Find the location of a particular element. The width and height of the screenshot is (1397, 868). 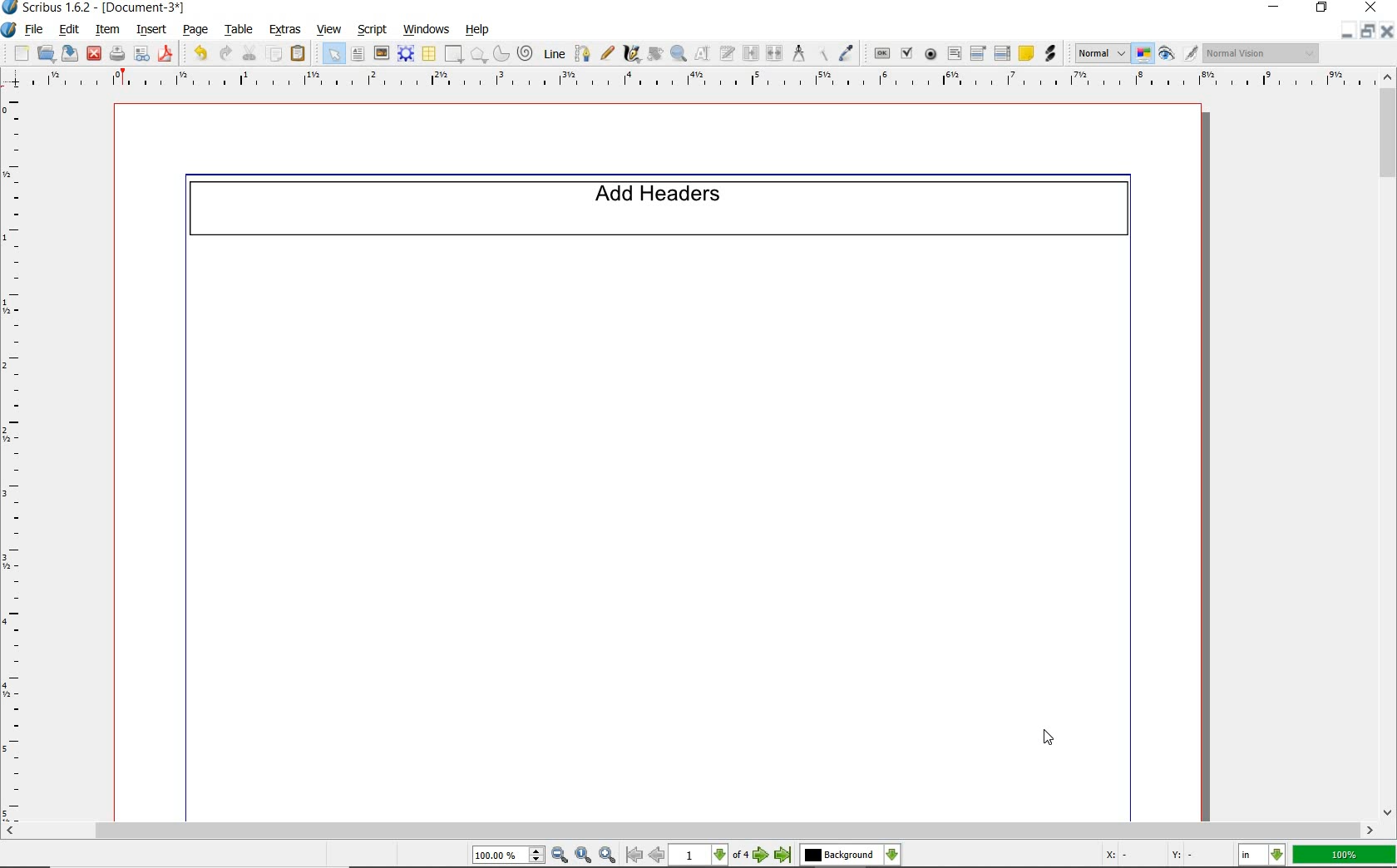

Bezier curve is located at coordinates (582, 53).